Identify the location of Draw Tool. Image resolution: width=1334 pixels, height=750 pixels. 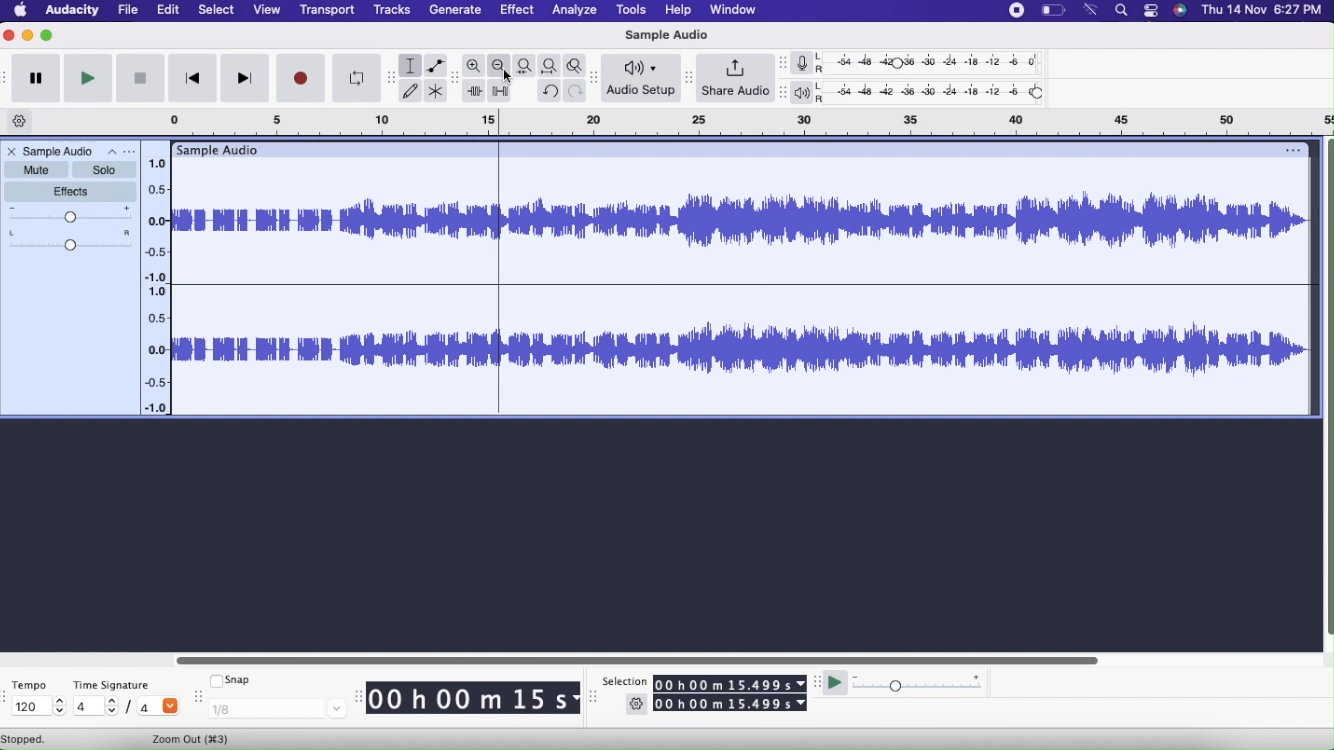
(410, 92).